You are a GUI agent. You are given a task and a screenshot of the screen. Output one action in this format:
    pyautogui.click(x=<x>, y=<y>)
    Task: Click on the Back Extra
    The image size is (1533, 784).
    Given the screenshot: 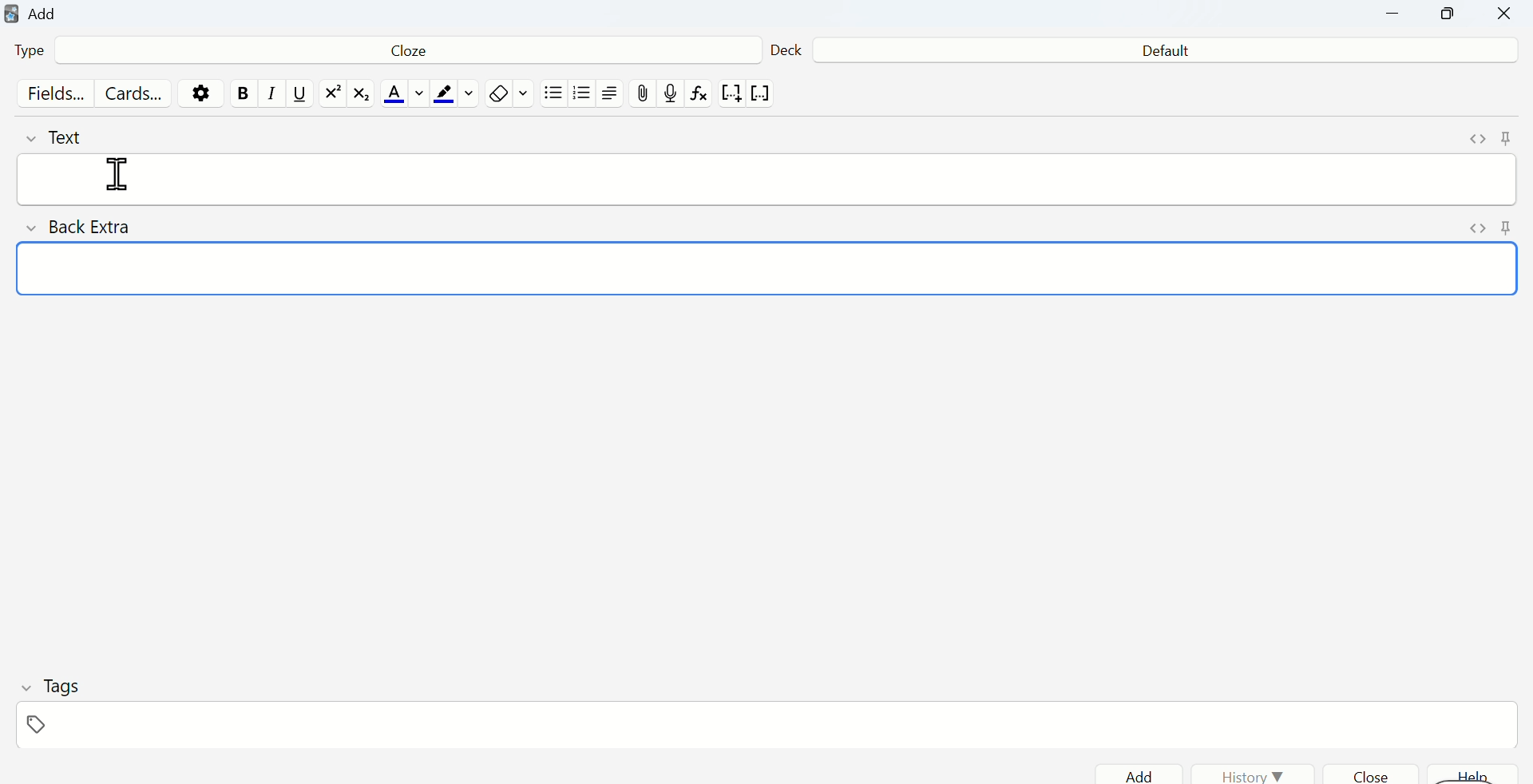 What is the action you would take?
    pyautogui.click(x=87, y=228)
    